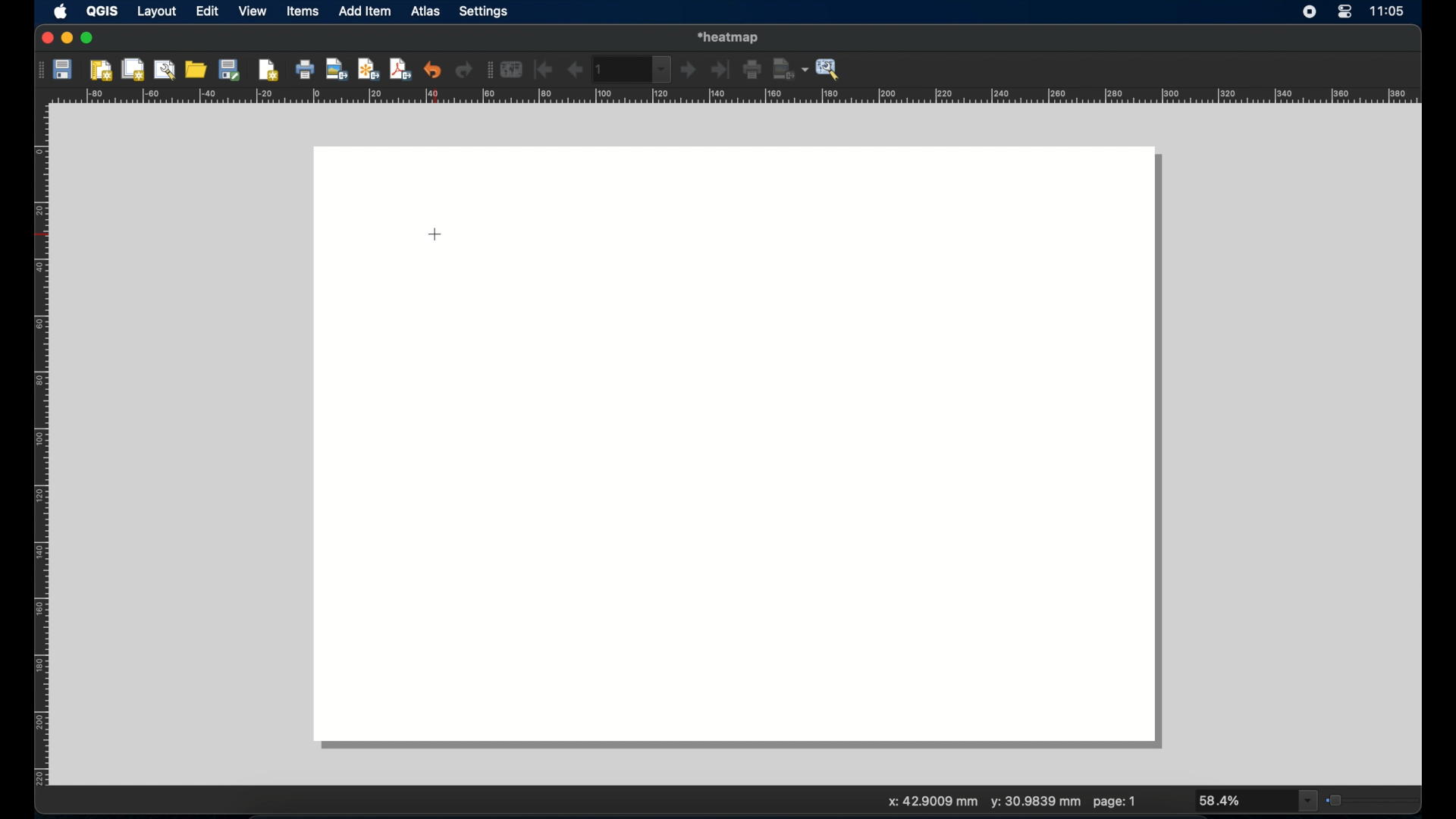  Describe the element at coordinates (337, 71) in the screenshot. I see `export as image` at that location.